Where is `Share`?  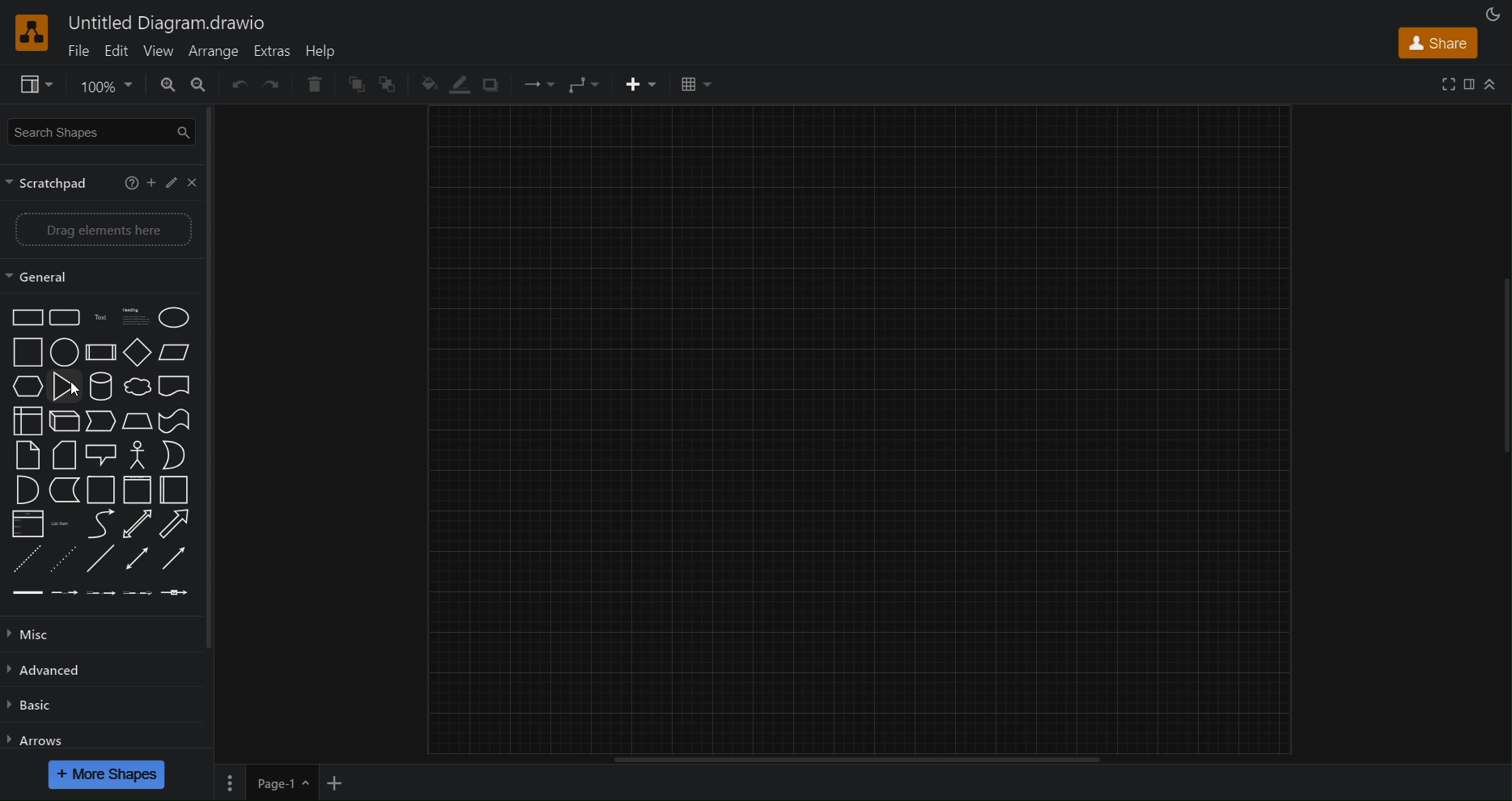 Share is located at coordinates (1440, 43).